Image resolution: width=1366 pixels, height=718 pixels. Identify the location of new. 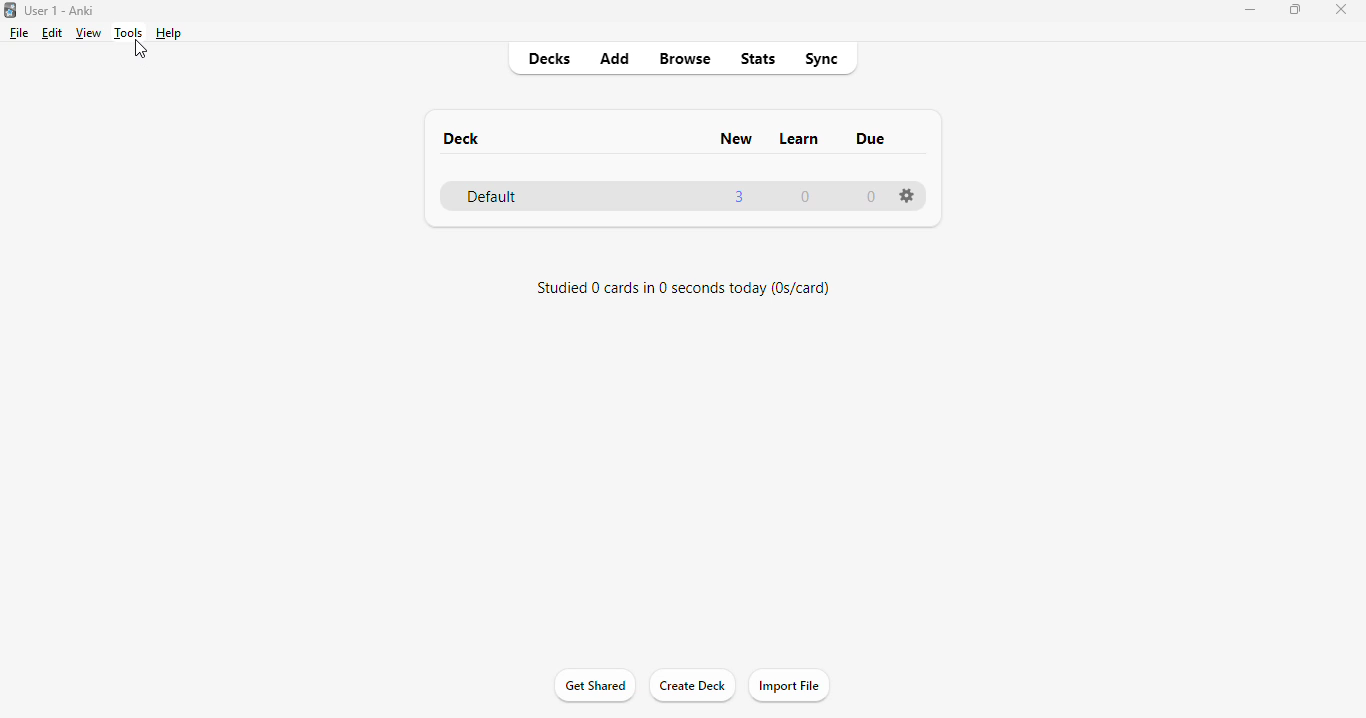
(736, 138).